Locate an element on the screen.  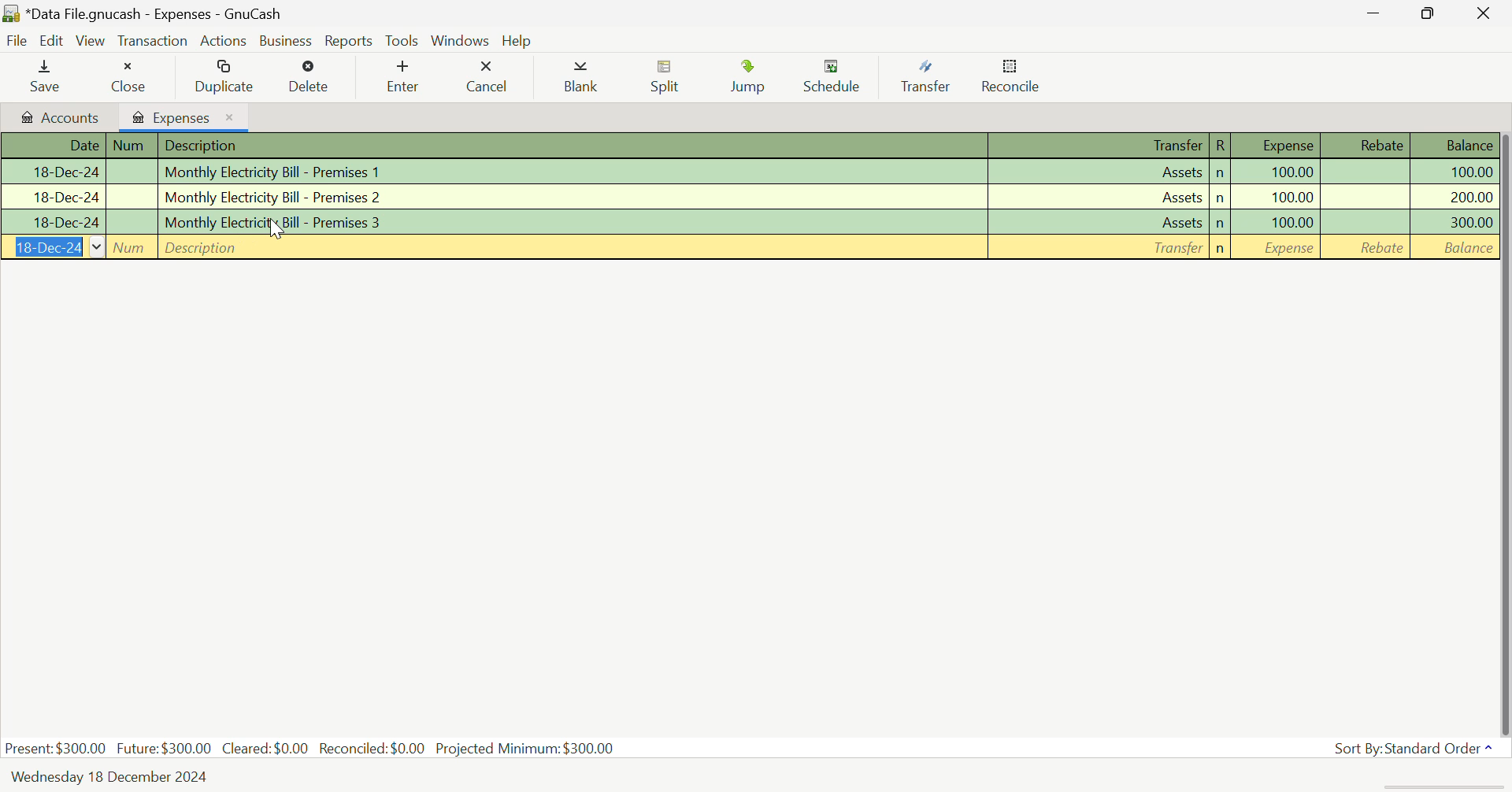
Business is located at coordinates (287, 41).